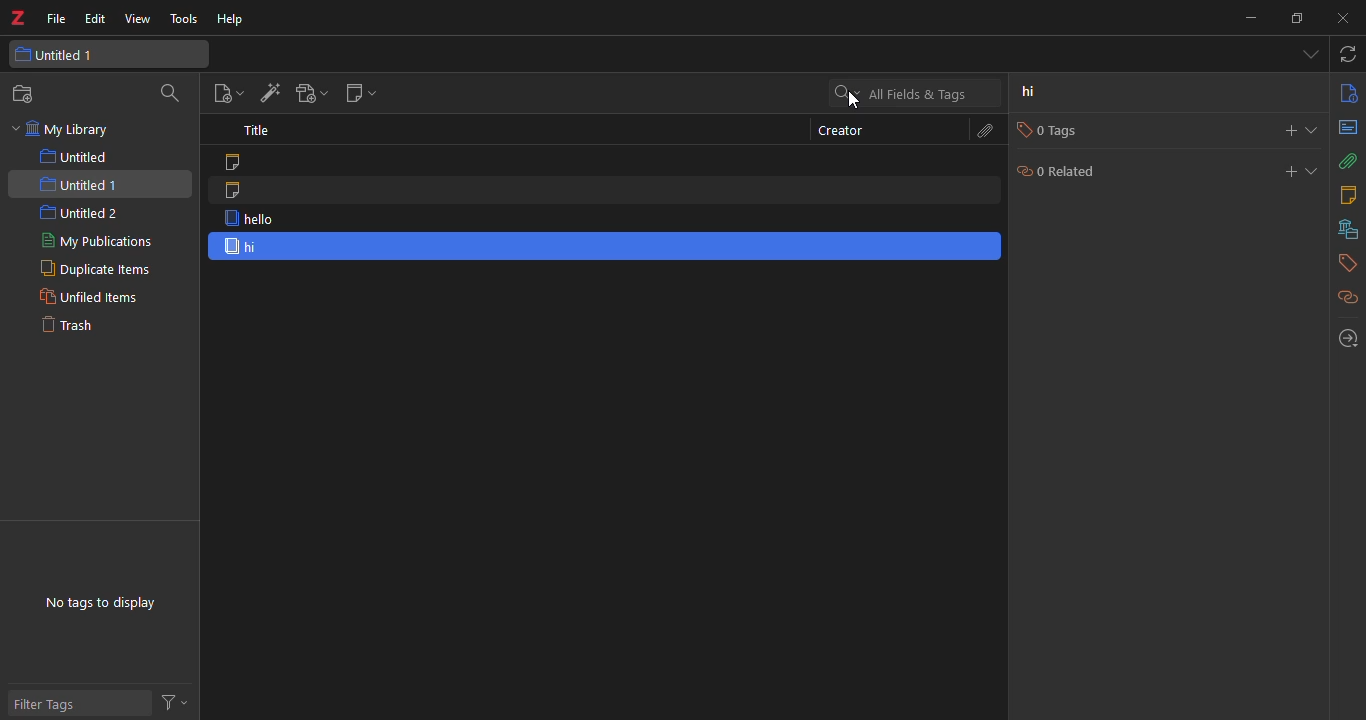 This screenshot has width=1366, height=720. Describe the element at coordinates (26, 94) in the screenshot. I see `new collection` at that location.